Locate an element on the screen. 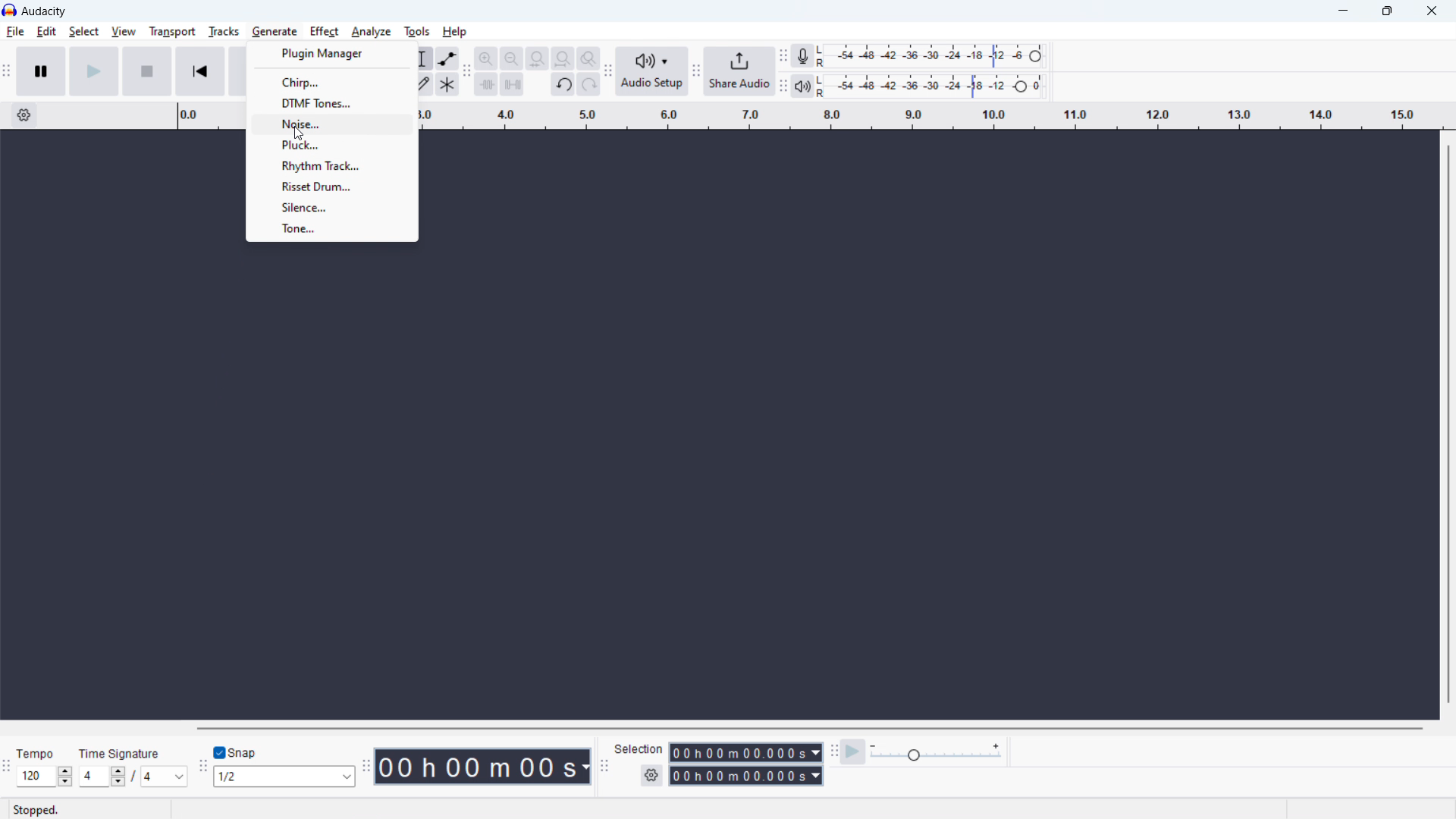 This screenshot has width=1456, height=819. timestamp is located at coordinates (485, 767).